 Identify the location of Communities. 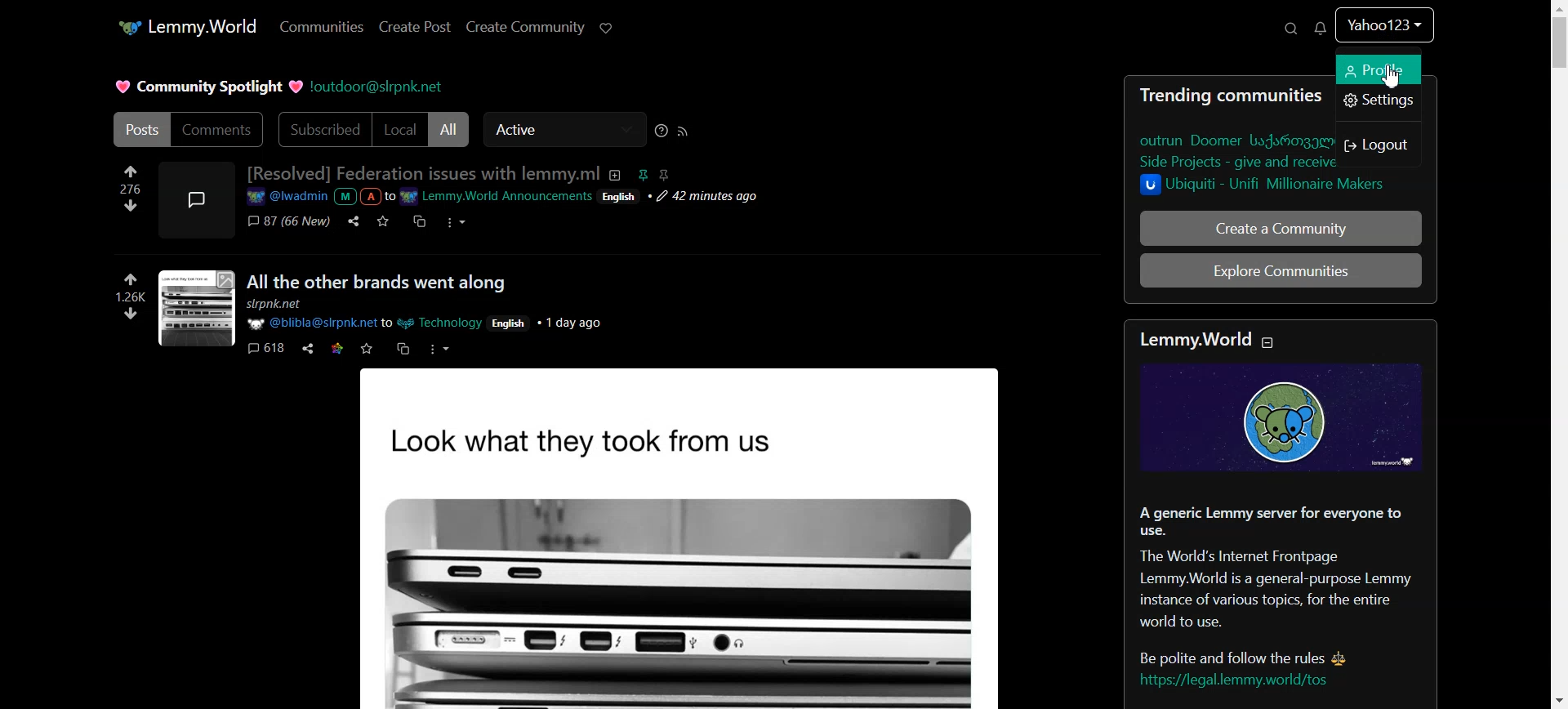
(323, 25).